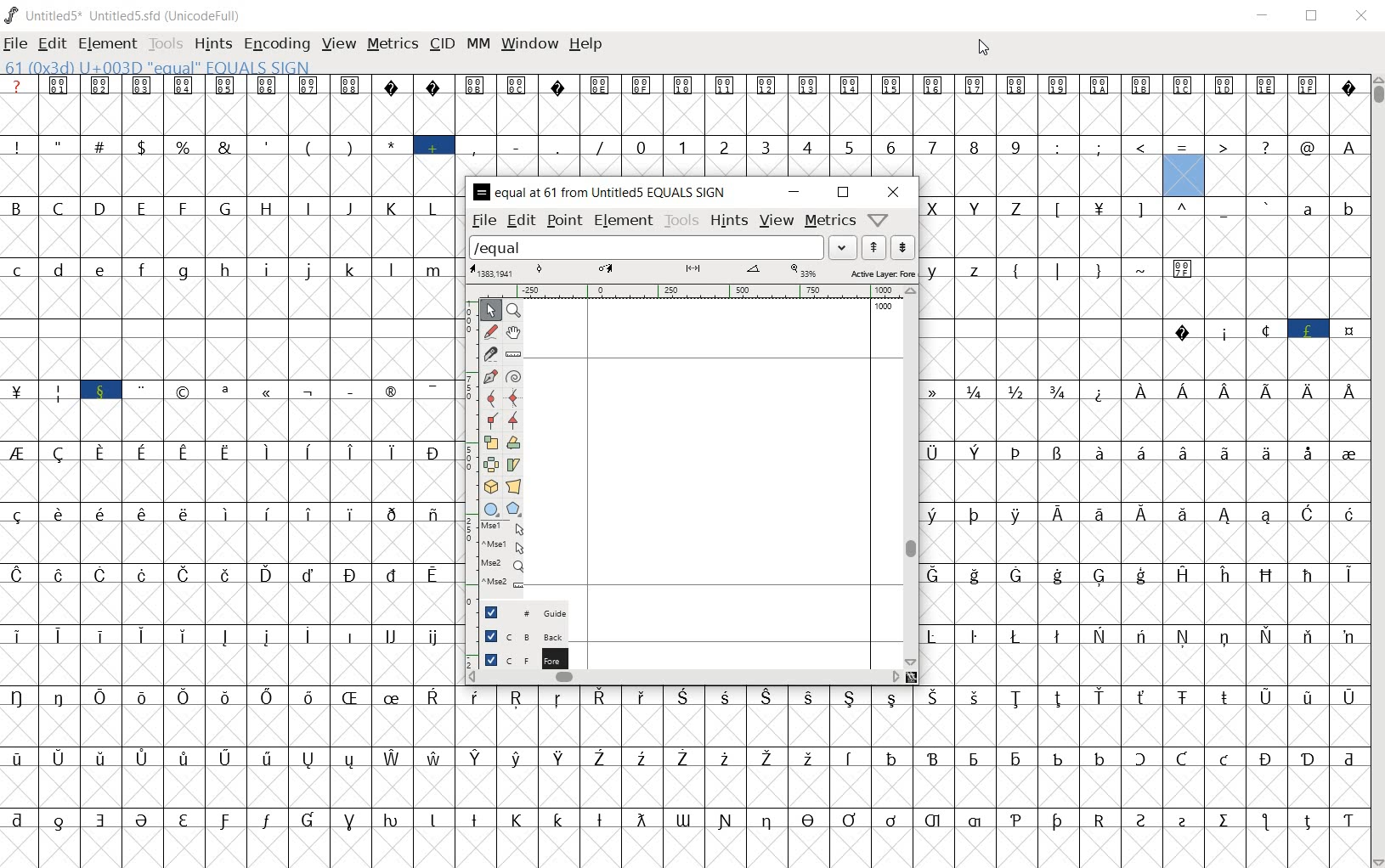  Describe the element at coordinates (662, 248) in the screenshot. I see `load word list` at that location.